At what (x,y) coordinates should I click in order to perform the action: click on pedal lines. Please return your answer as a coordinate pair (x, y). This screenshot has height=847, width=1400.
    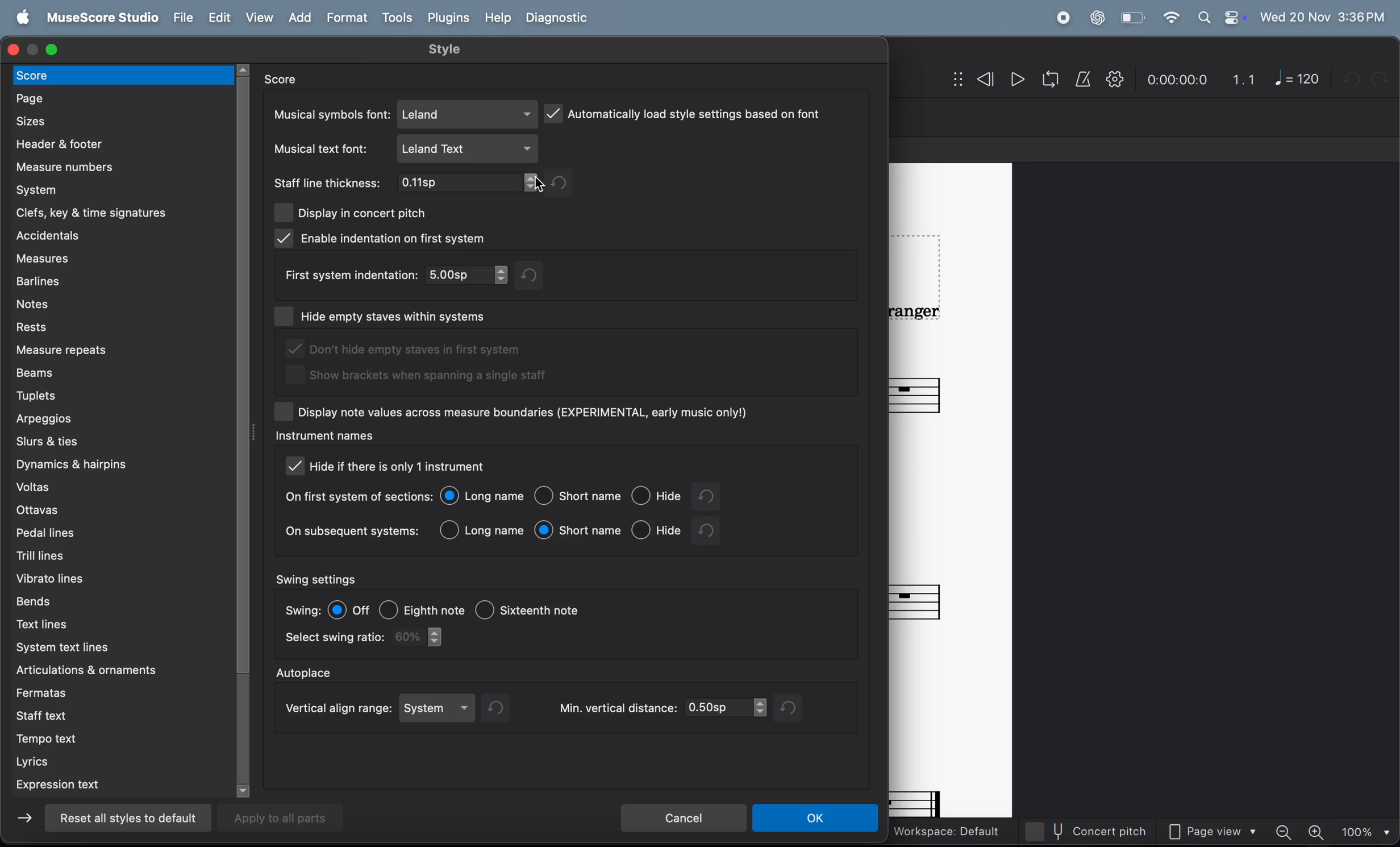
    Looking at the image, I should click on (108, 532).